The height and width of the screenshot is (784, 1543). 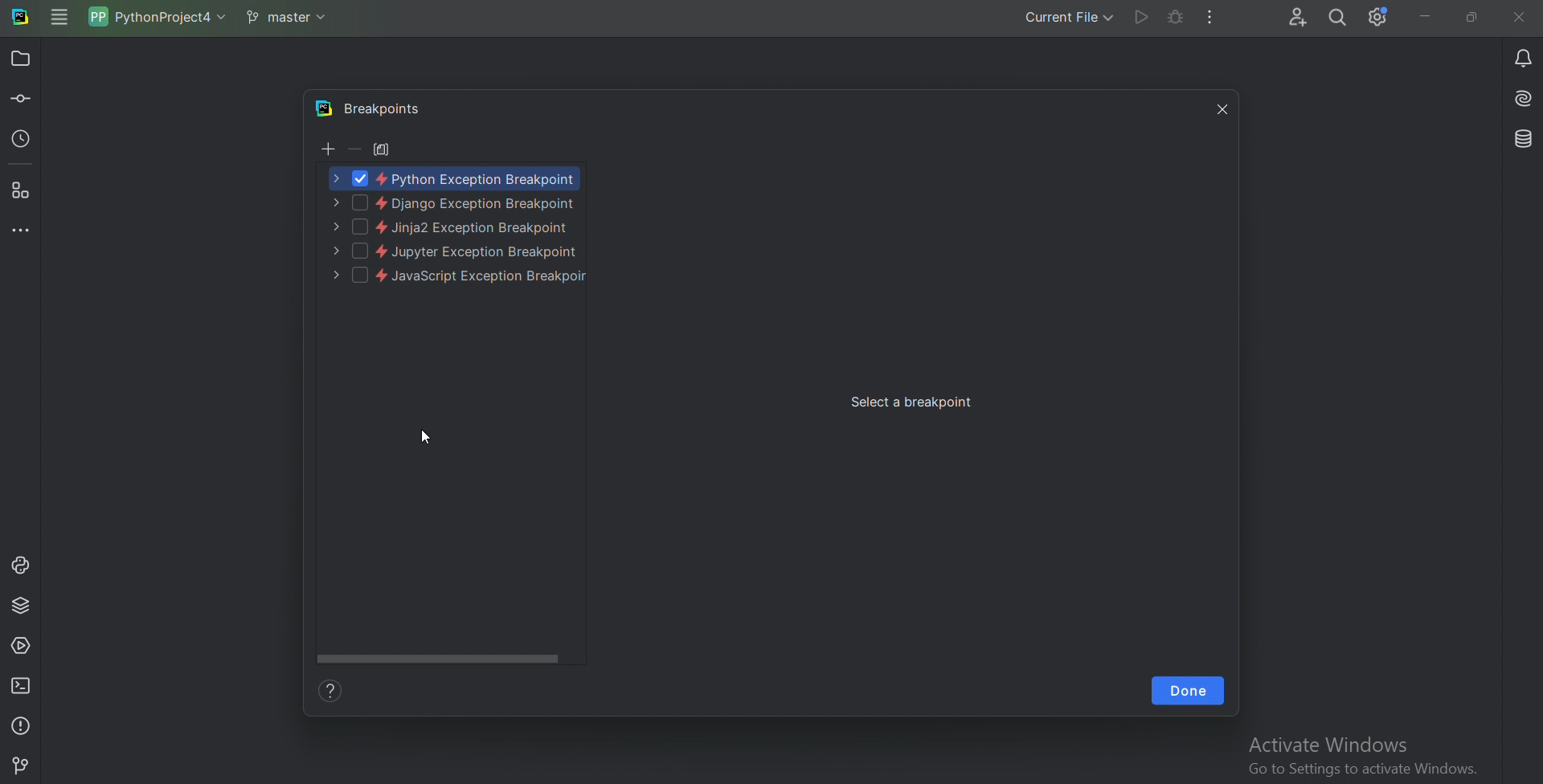 I want to click on Code with me, so click(x=1296, y=18).